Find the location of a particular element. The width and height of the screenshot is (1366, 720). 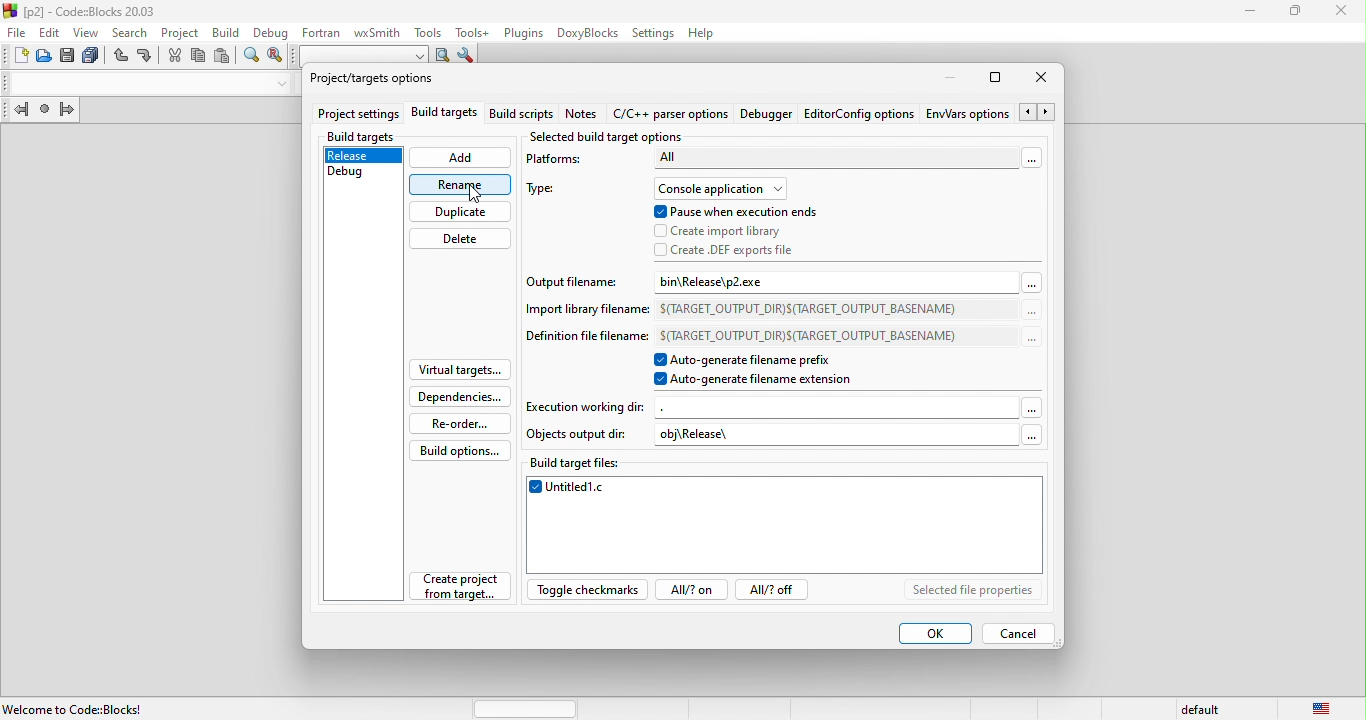

all?on is located at coordinates (690, 591).